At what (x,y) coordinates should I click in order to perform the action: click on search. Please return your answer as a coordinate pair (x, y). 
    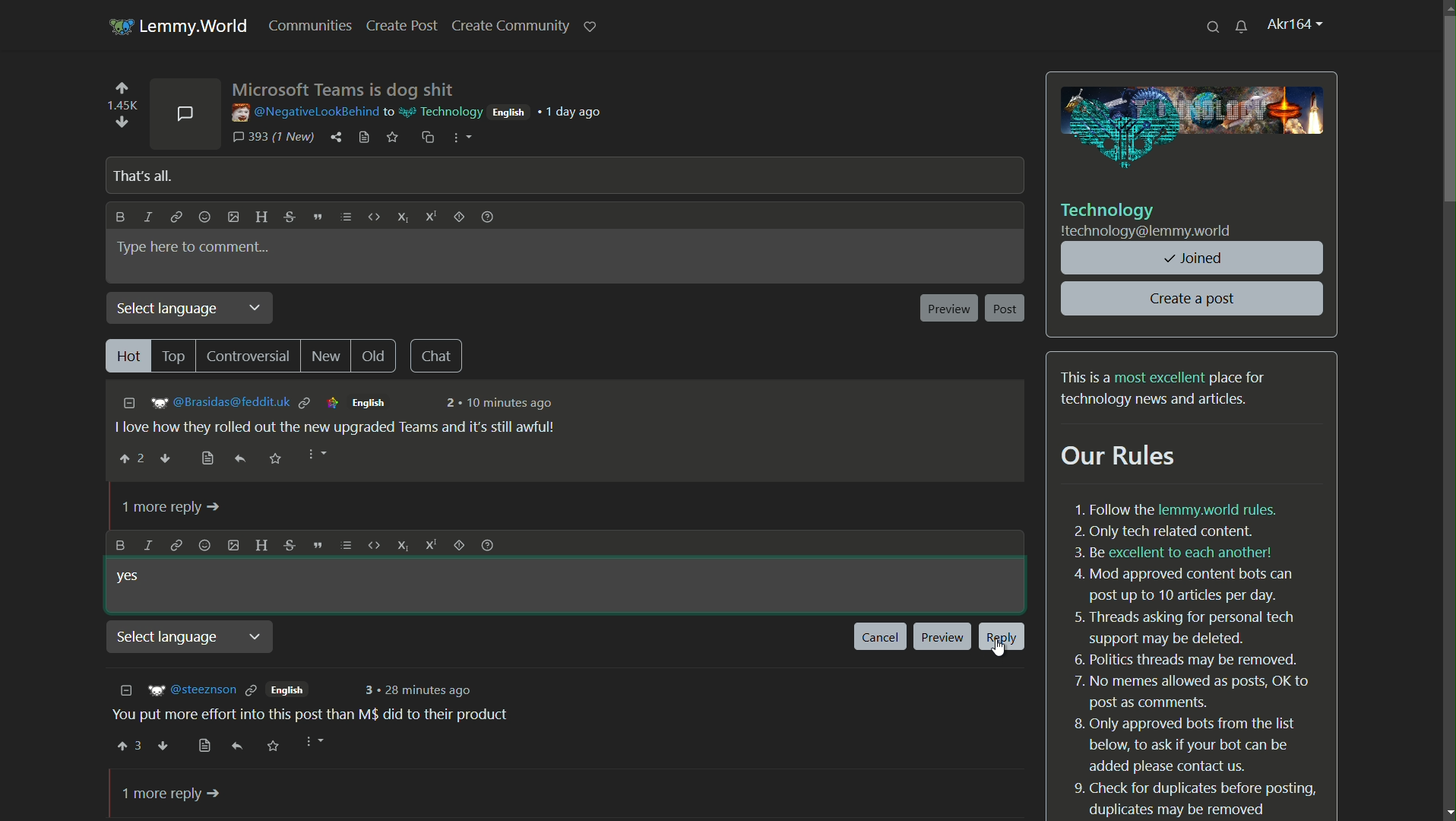
    Looking at the image, I should click on (1214, 26).